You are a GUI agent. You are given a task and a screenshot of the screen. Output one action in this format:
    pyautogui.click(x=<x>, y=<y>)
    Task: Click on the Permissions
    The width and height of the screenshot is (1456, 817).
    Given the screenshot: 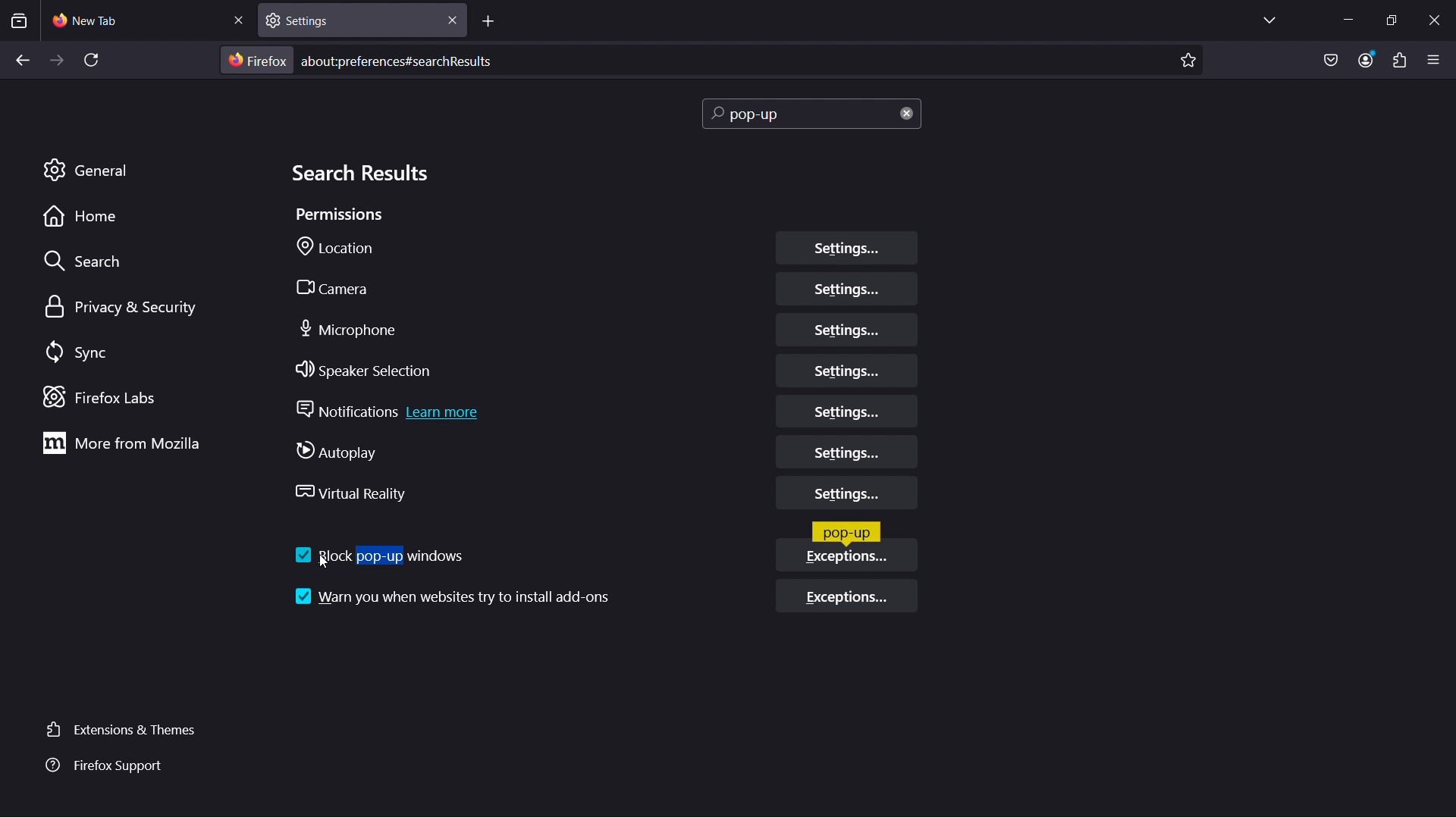 What is the action you would take?
    pyautogui.click(x=341, y=218)
    